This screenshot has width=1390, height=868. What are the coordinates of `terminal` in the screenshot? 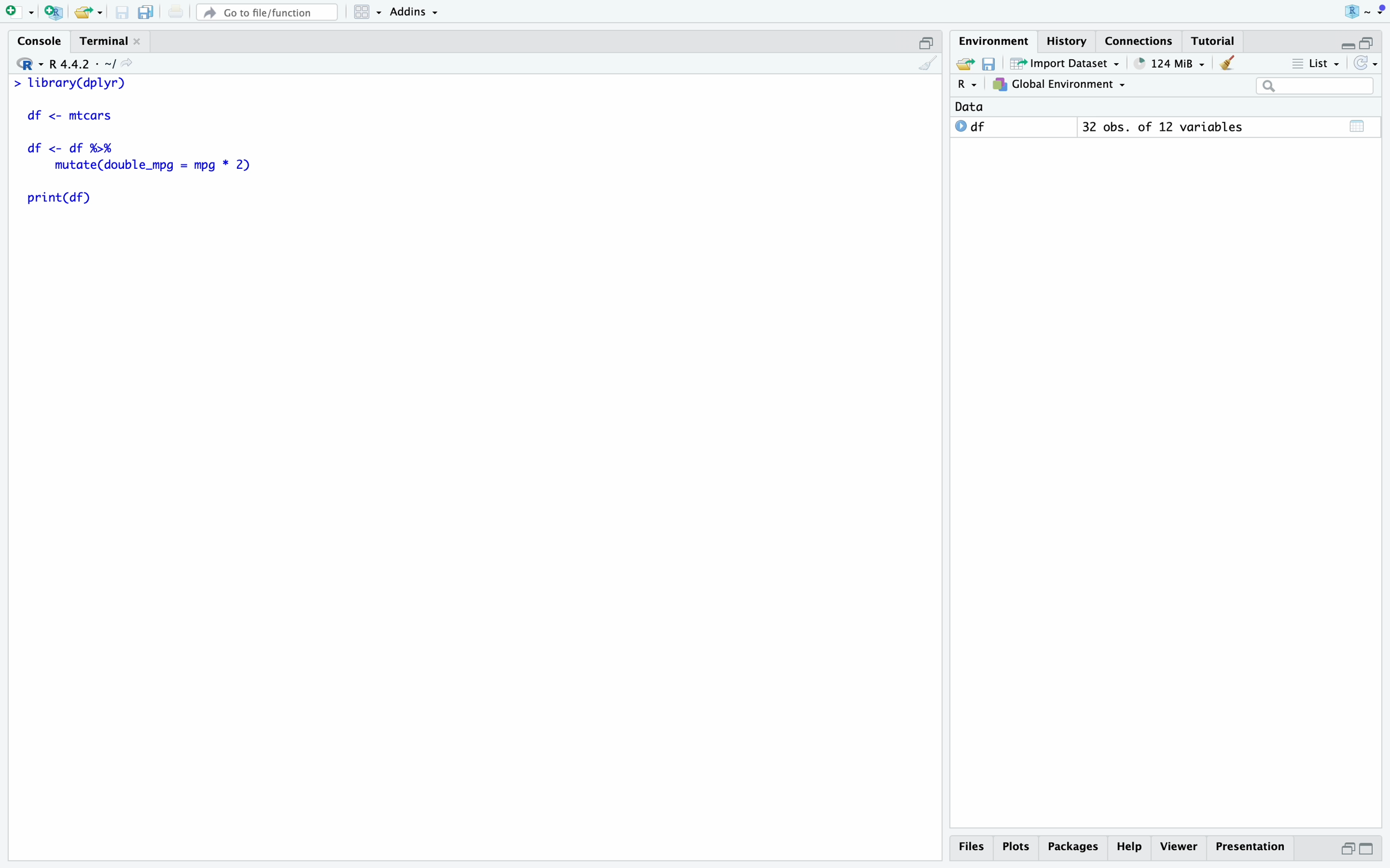 It's located at (104, 42).